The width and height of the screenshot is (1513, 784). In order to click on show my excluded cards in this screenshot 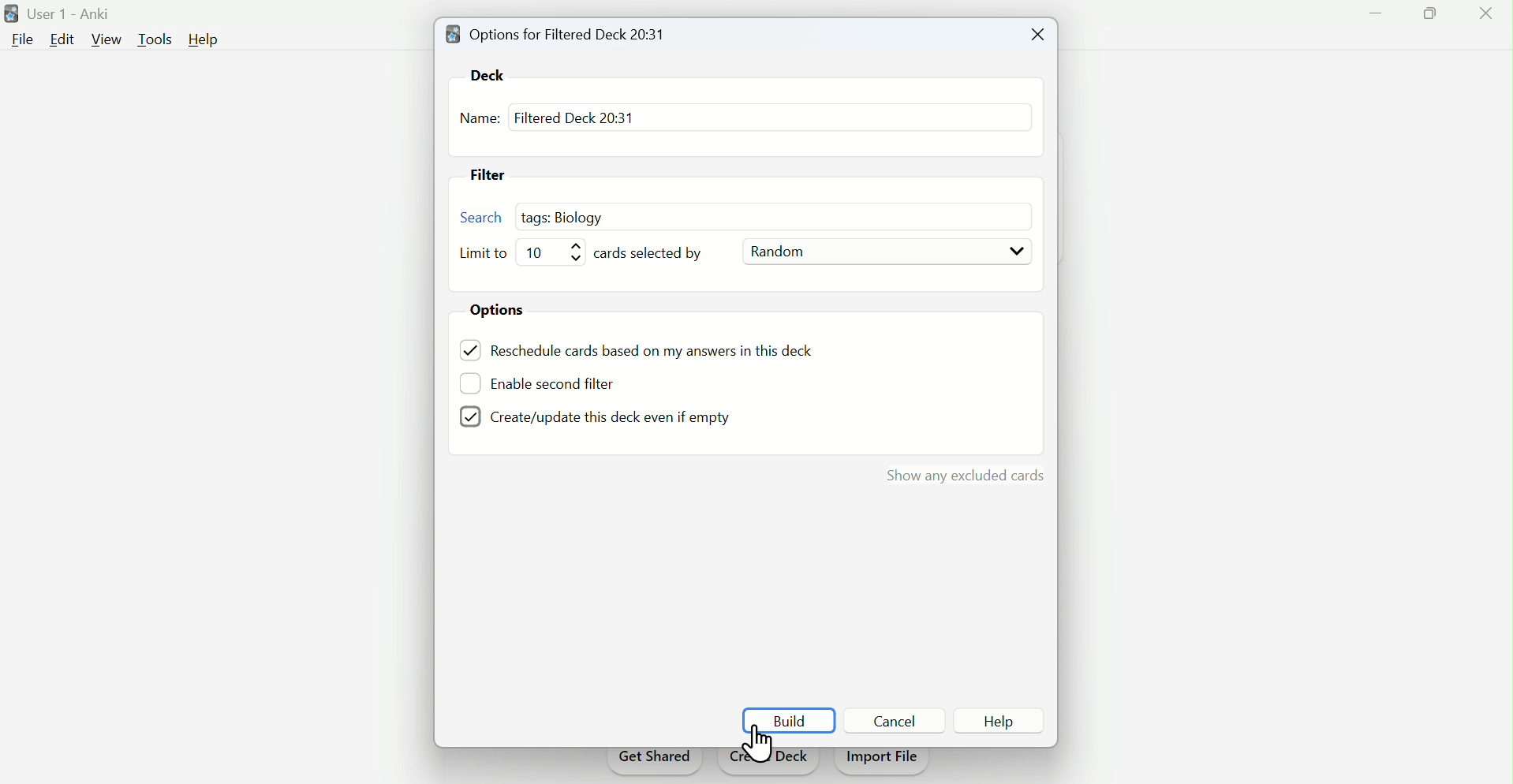, I will do `click(962, 476)`.